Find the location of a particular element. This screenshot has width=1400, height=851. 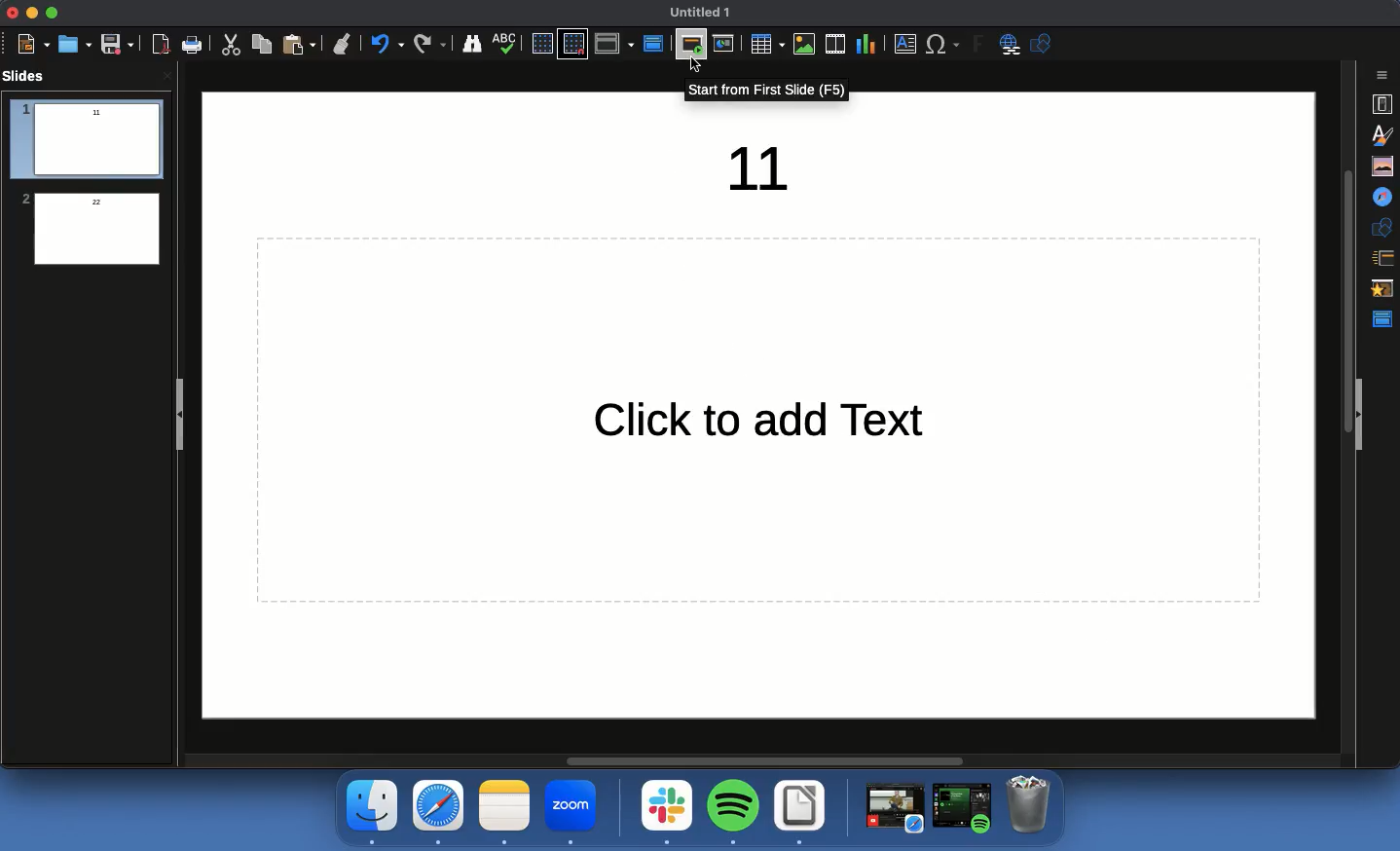

Minimize is located at coordinates (33, 15).